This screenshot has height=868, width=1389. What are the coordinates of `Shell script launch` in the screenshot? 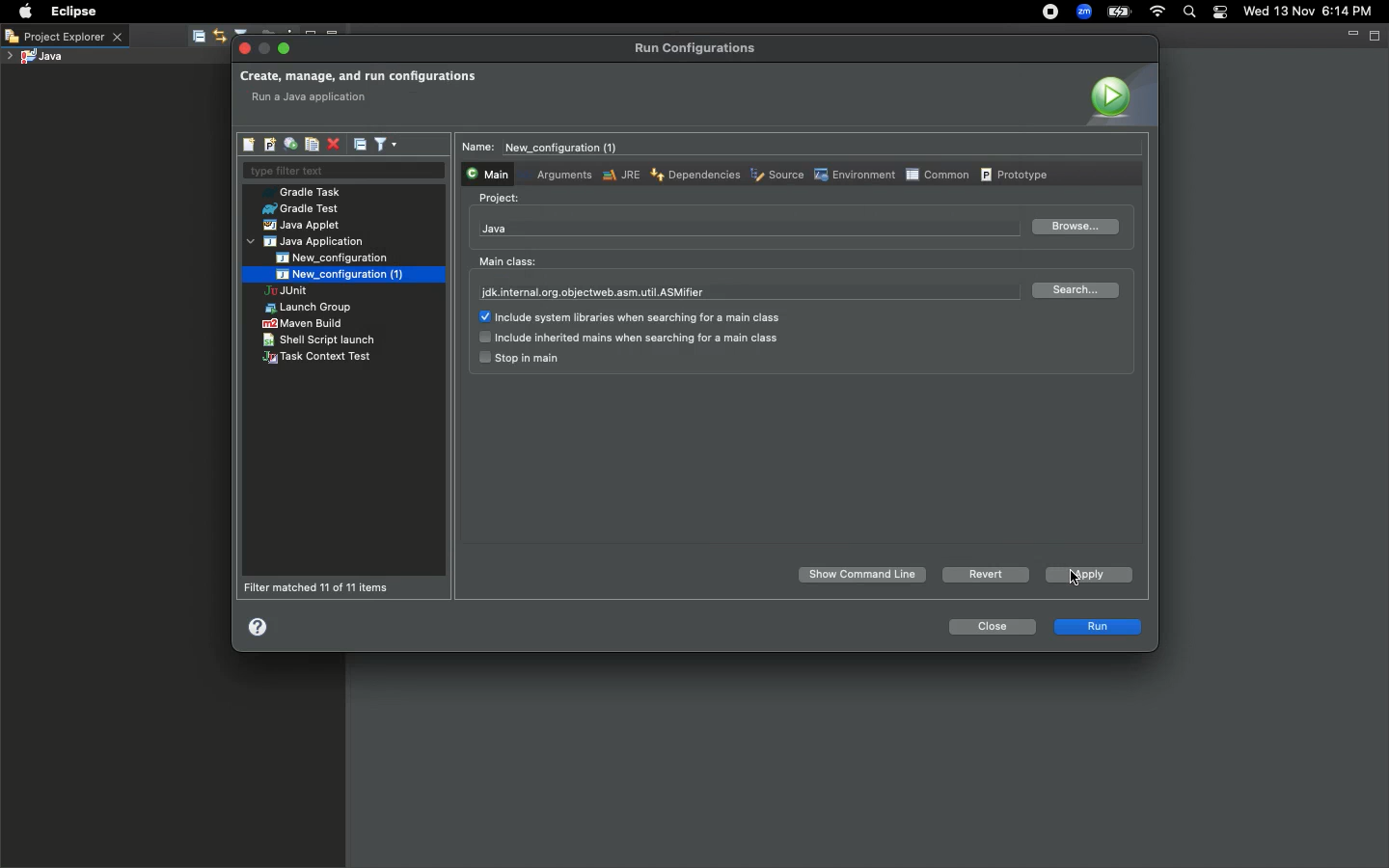 It's located at (320, 339).